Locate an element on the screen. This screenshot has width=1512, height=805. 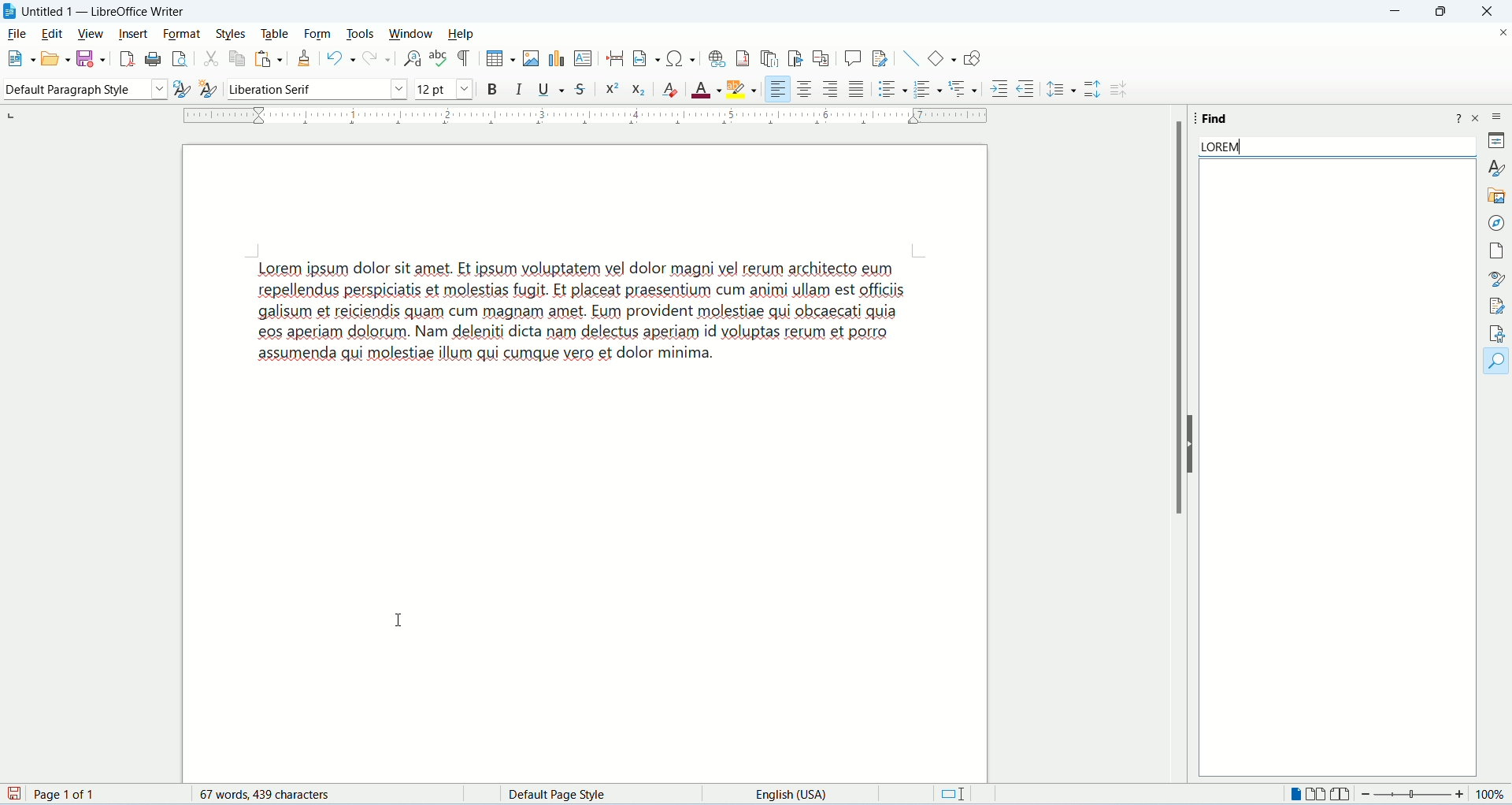
insert line is located at coordinates (911, 59).